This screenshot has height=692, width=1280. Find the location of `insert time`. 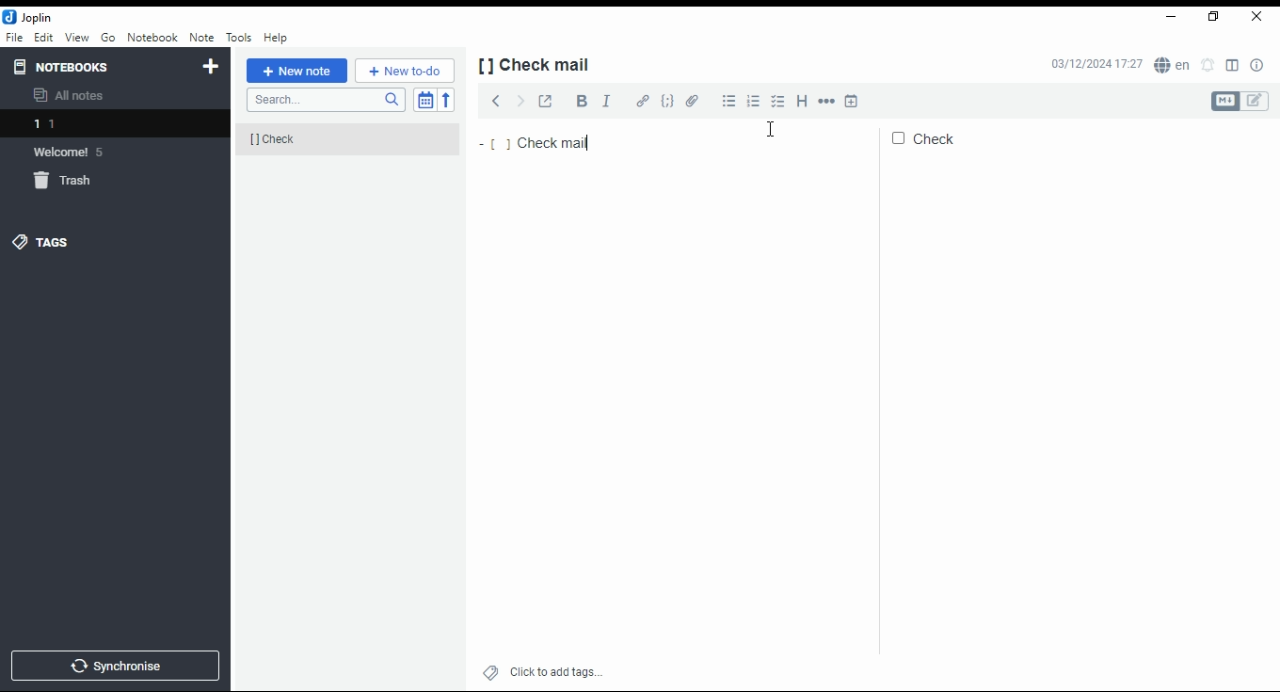

insert time is located at coordinates (852, 101).